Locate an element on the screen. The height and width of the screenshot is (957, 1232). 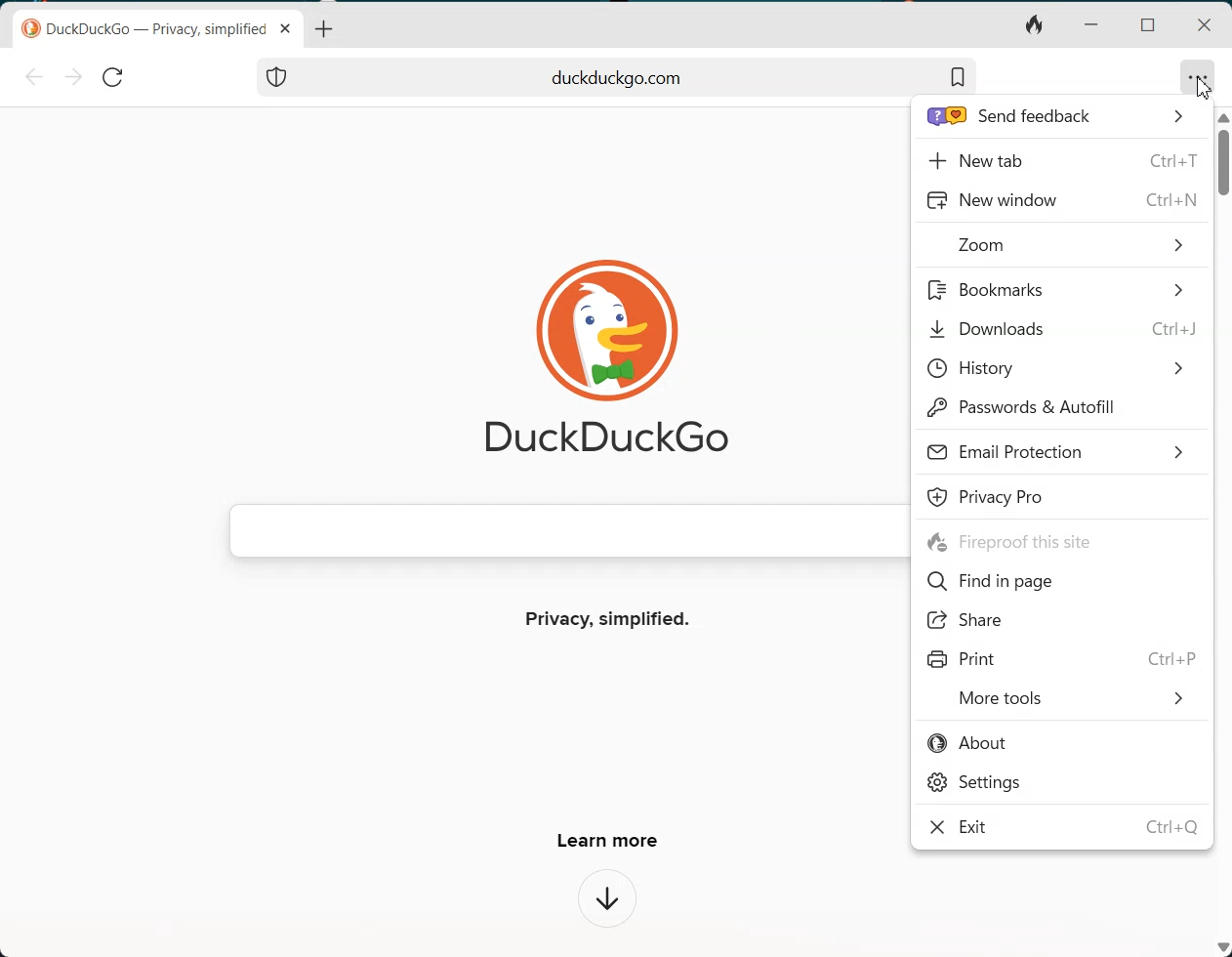
About is located at coordinates (1061, 742).